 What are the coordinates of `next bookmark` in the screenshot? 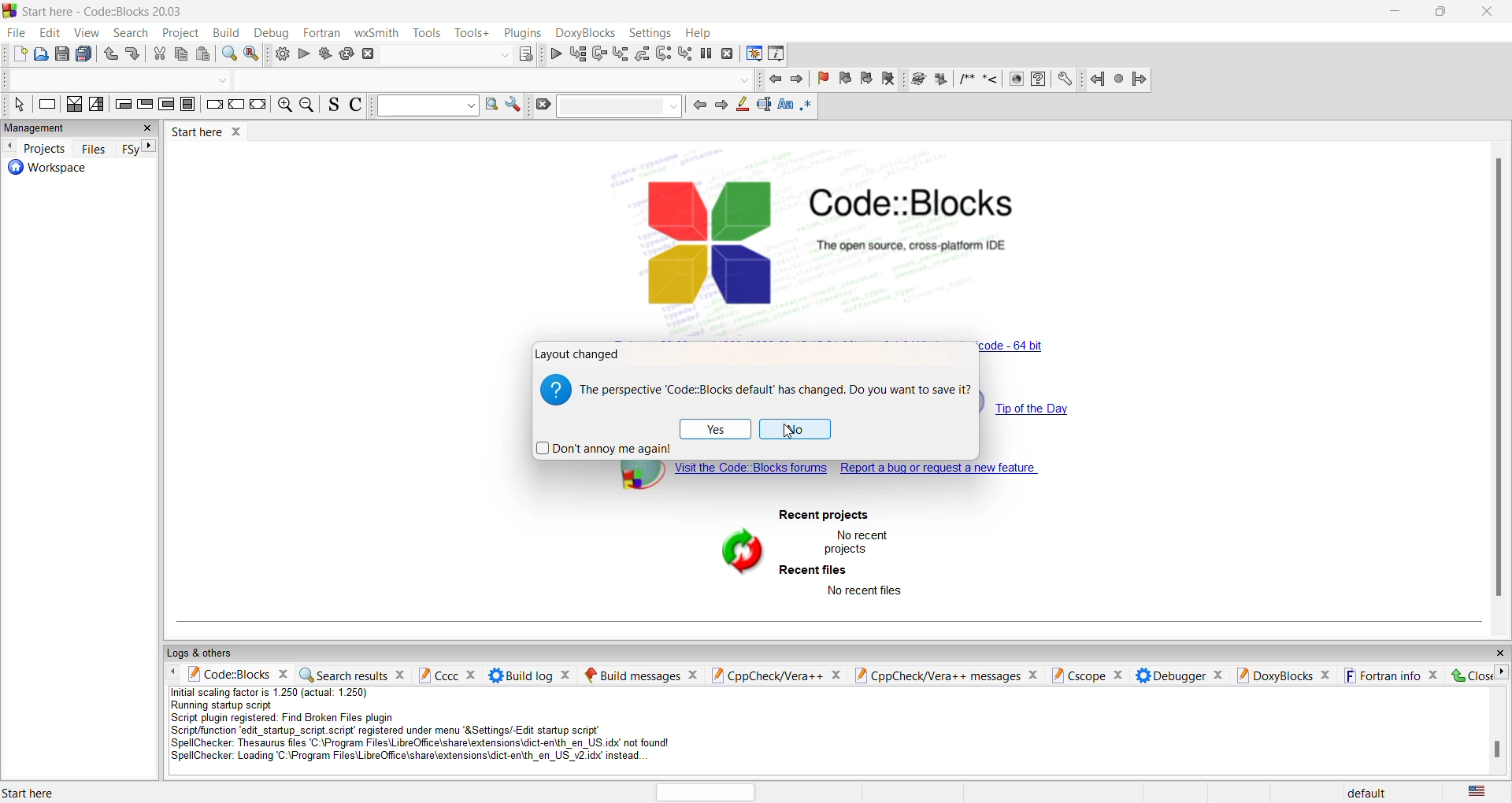 It's located at (865, 78).